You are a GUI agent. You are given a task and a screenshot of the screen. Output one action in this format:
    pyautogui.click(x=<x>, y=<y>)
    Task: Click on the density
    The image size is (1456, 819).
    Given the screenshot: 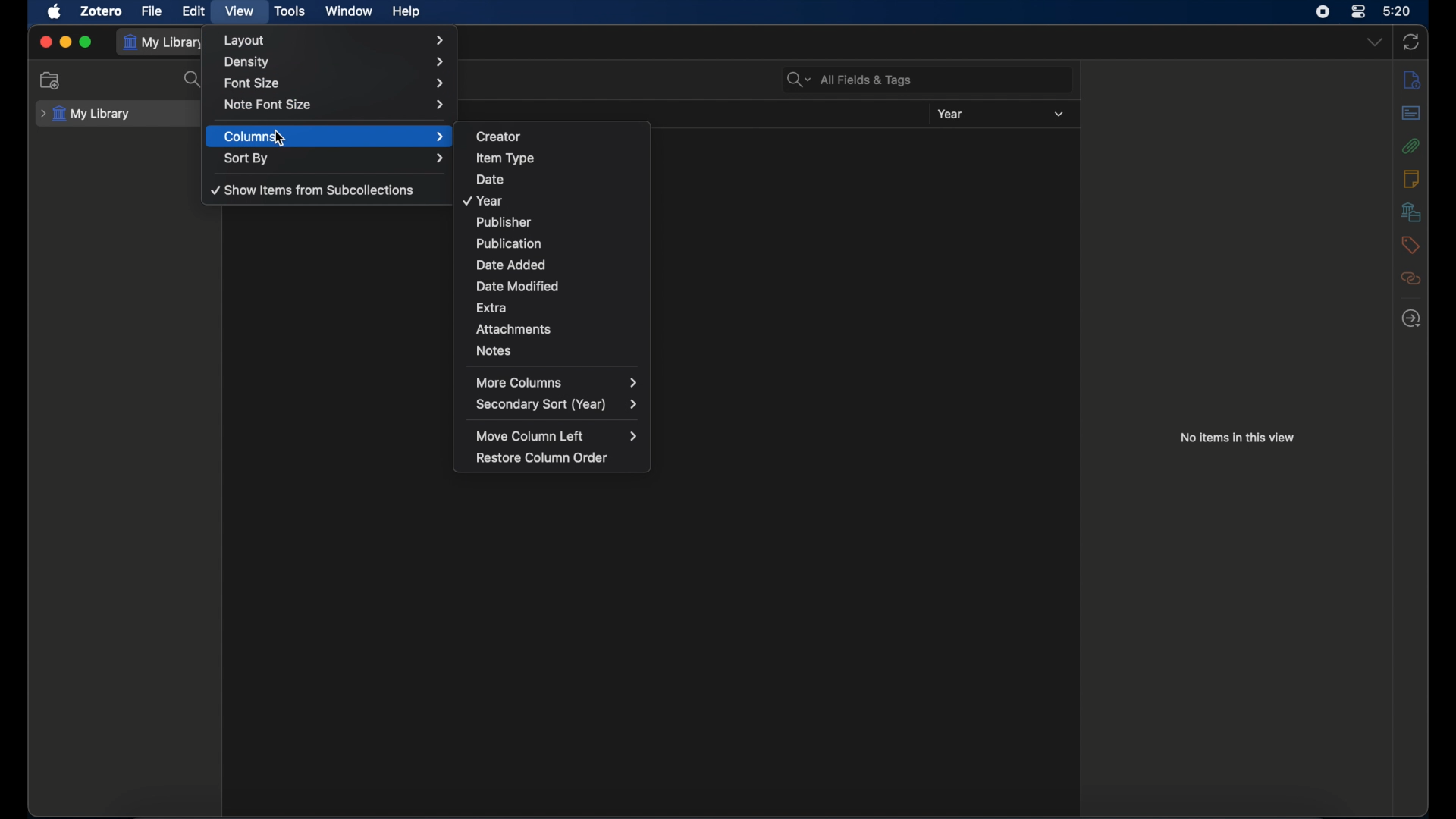 What is the action you would take?
    pyautogui.click(x=334, y=62)
    